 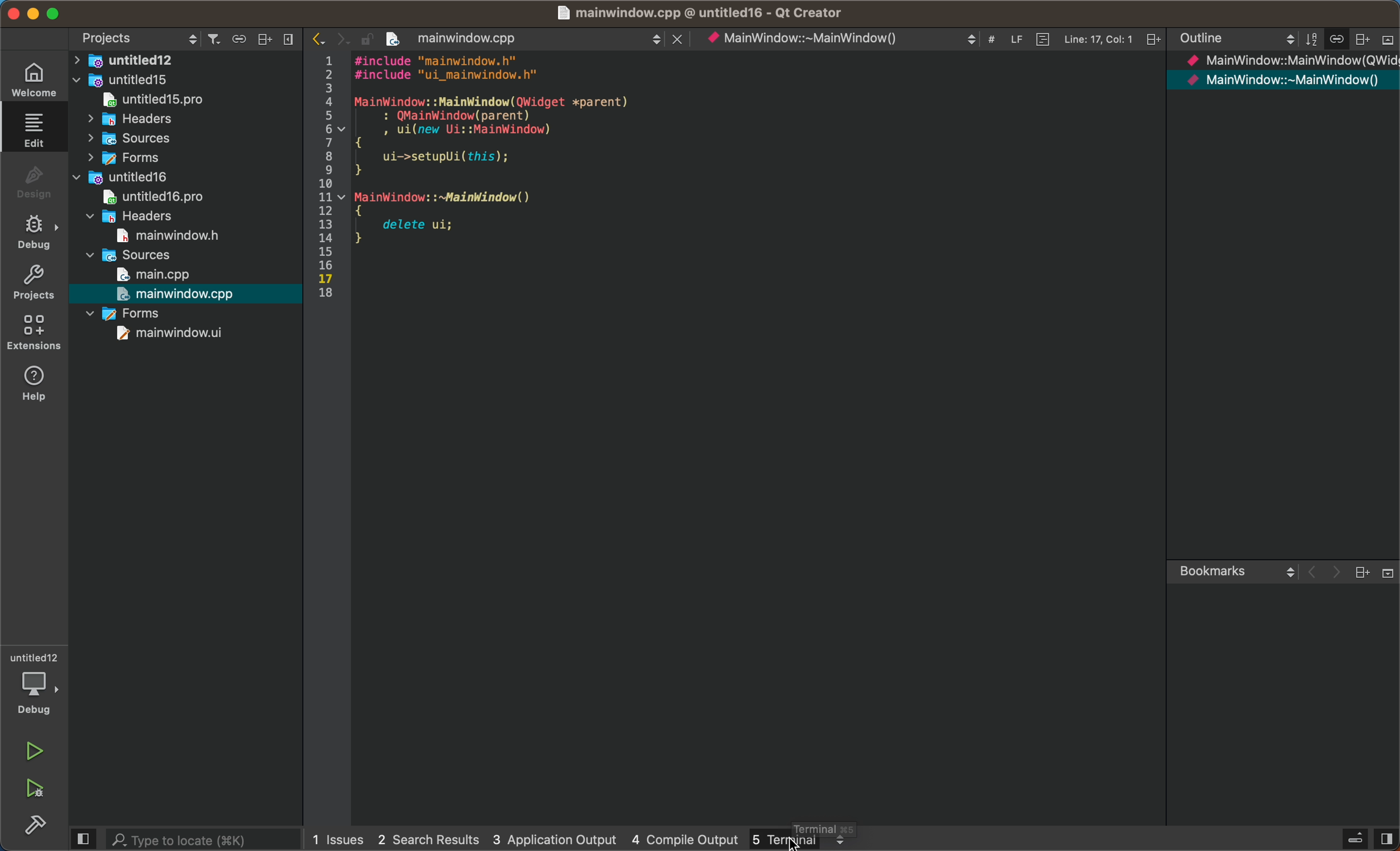 What do you see at coordinates (522, 837) in the screenshot?
I see `logs` at bounding box center [522, 837].